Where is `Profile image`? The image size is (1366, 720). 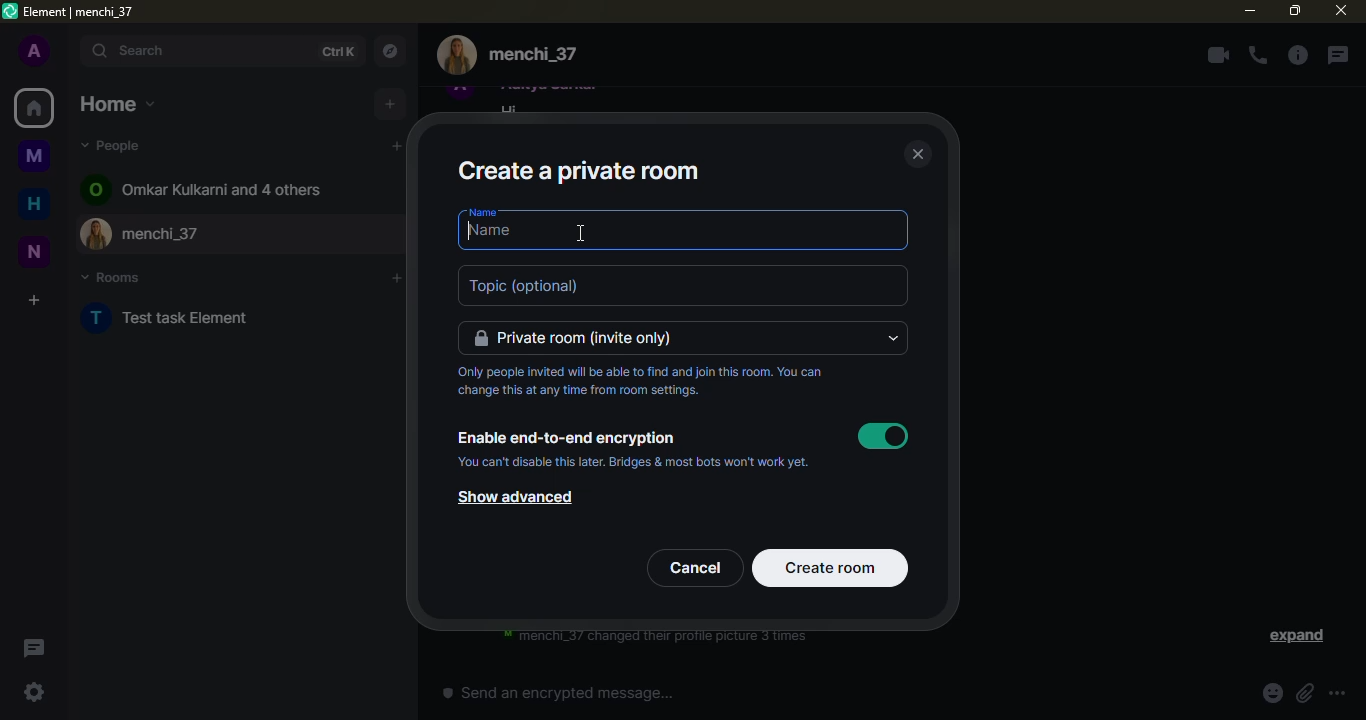 Profile image is located at coordinates (98, 233).